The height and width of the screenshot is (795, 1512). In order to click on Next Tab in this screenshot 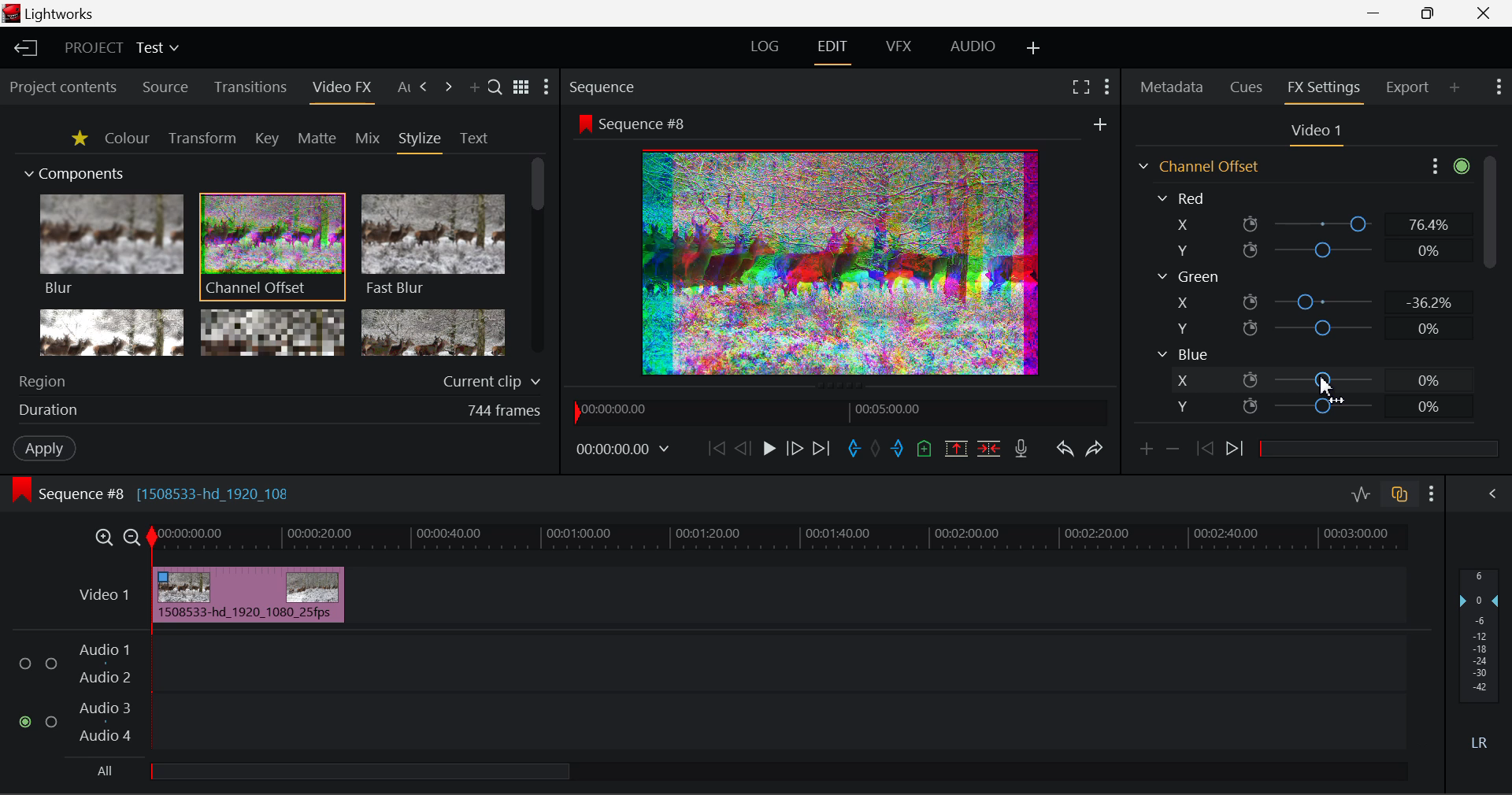, I will do `click(425, 87)`.